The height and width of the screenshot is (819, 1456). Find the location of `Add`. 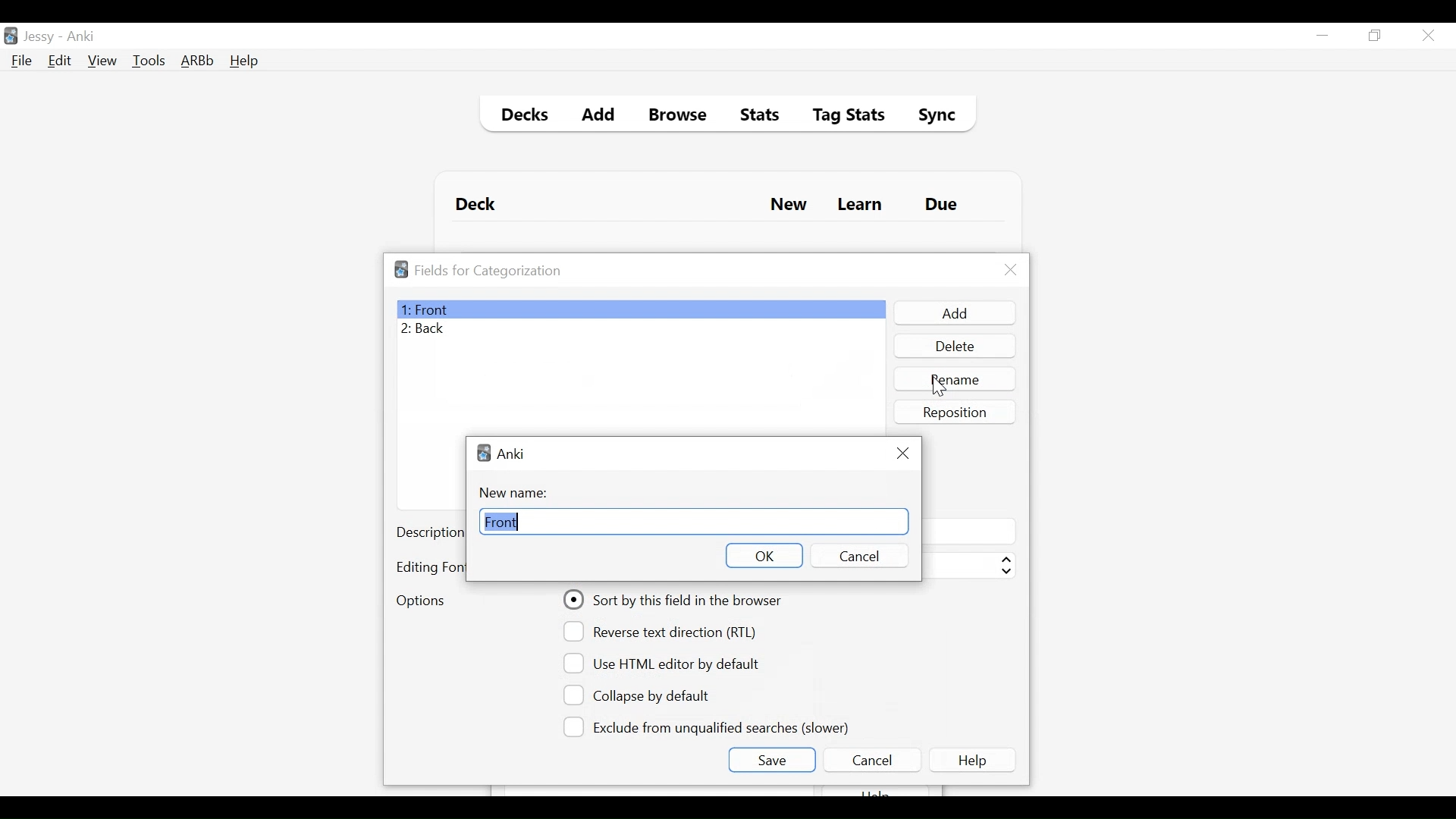

Add is located at coordinates (953, 313).